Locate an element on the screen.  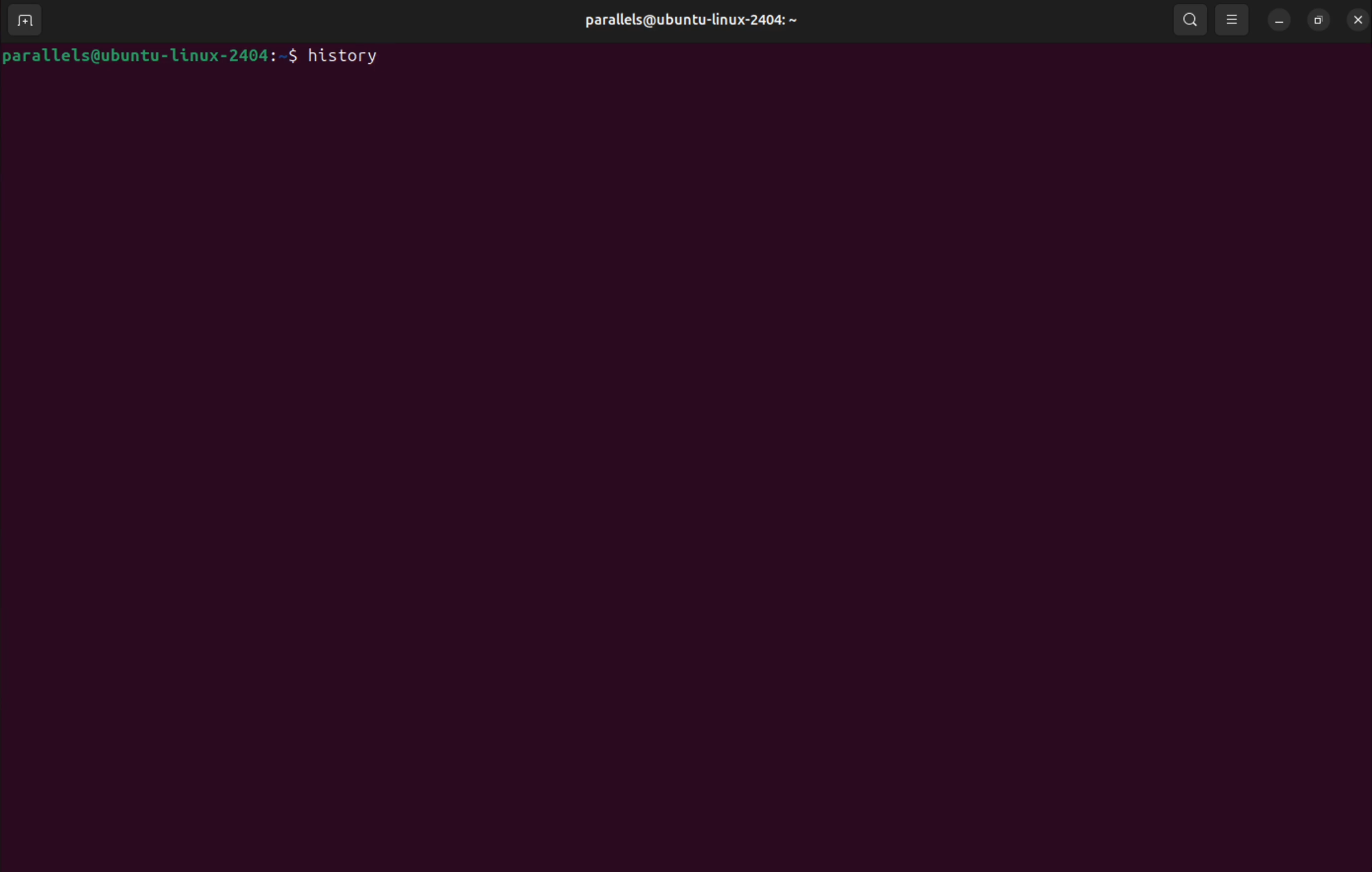
bash prompts is located at coordinates (149, 55).